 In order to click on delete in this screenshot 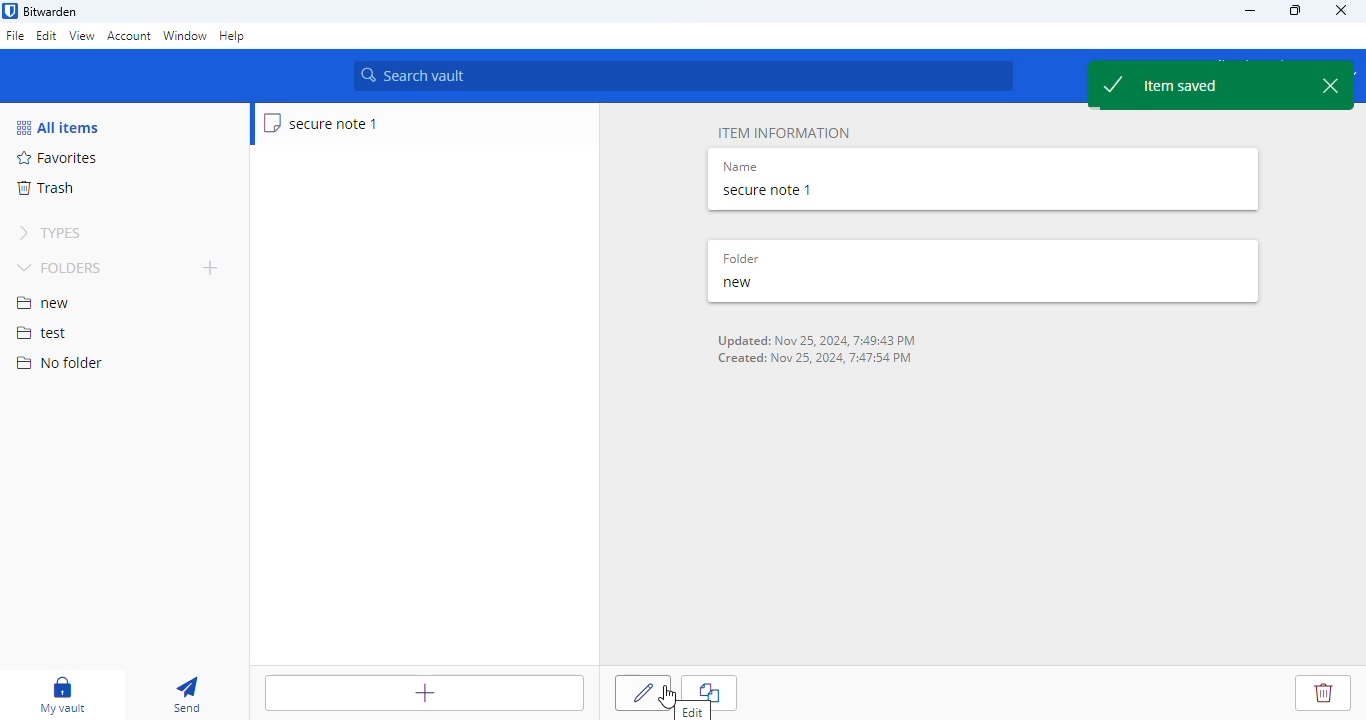, I will do `click(1323, 693)`.